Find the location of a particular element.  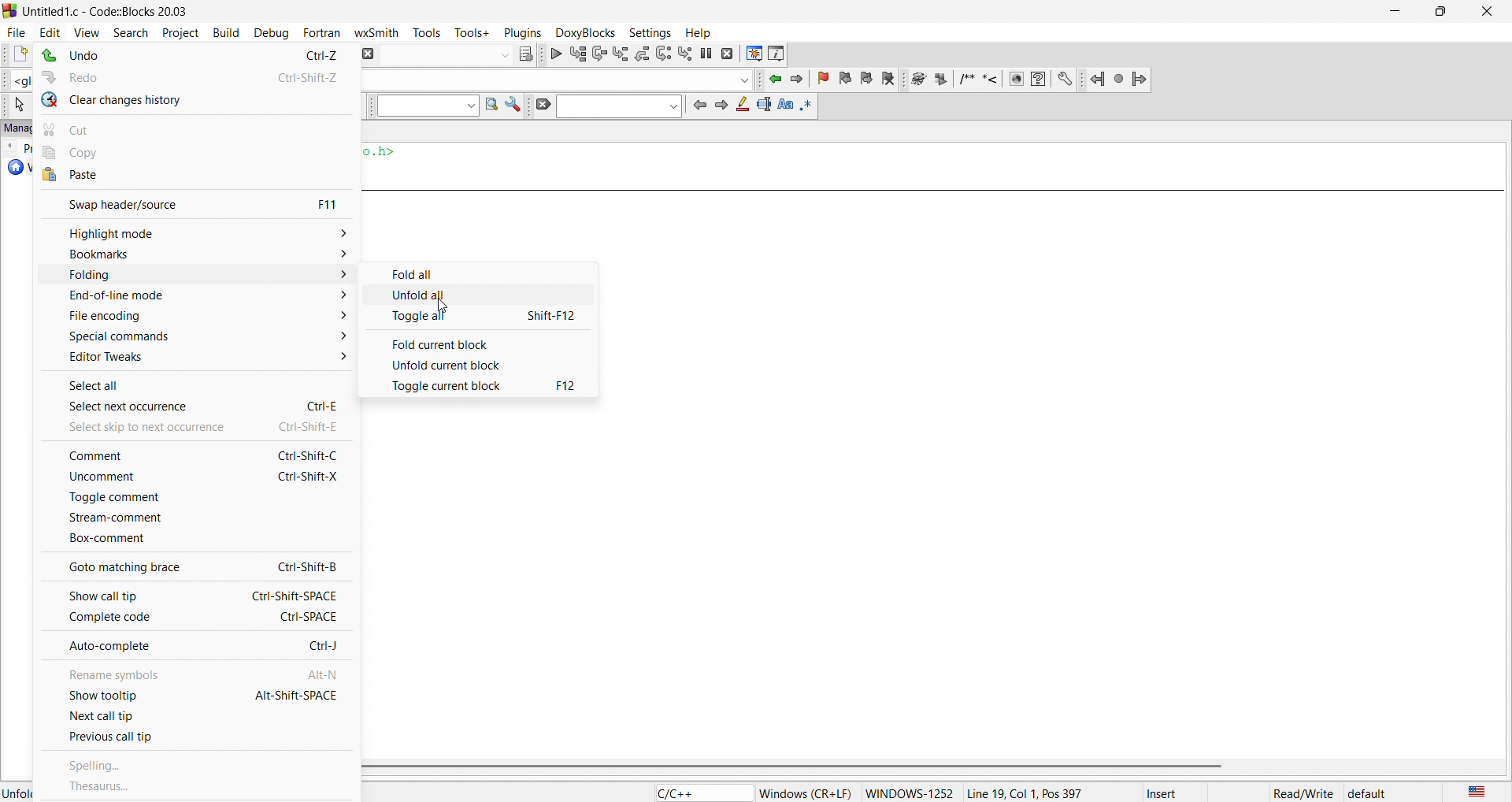

show call tip is located at coordinates (191, 593).